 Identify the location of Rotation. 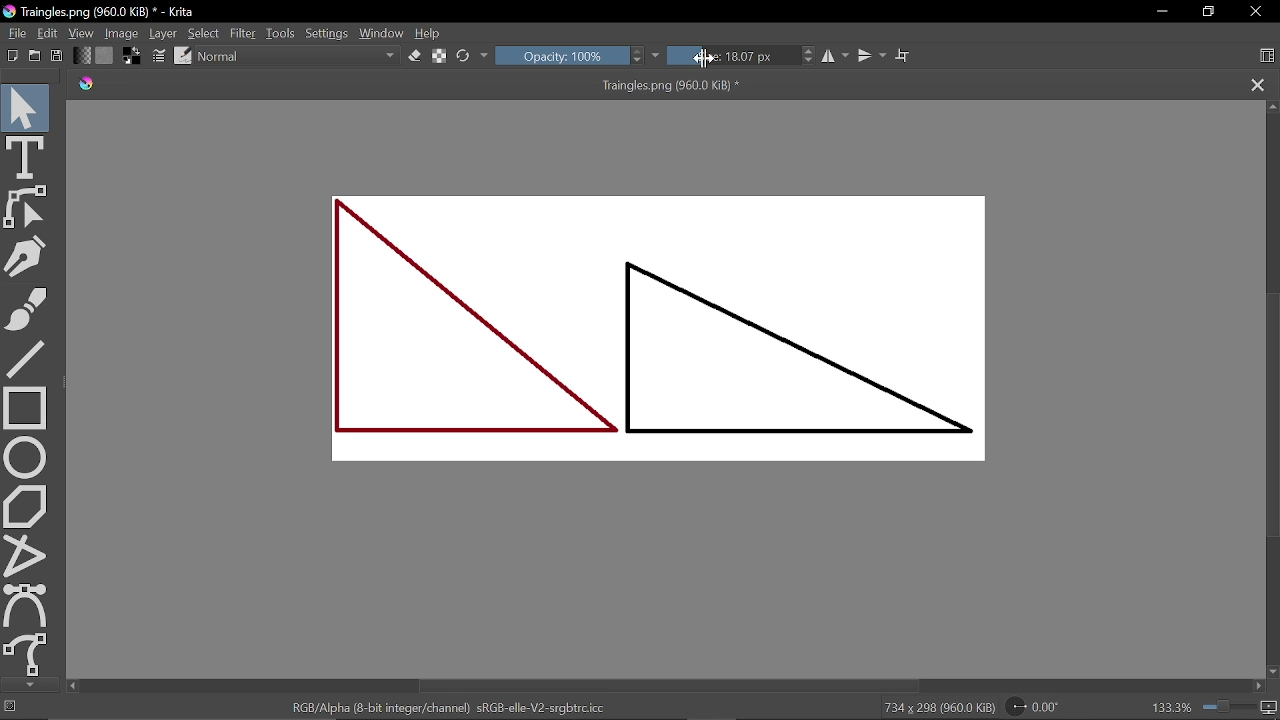
(1033, 705).